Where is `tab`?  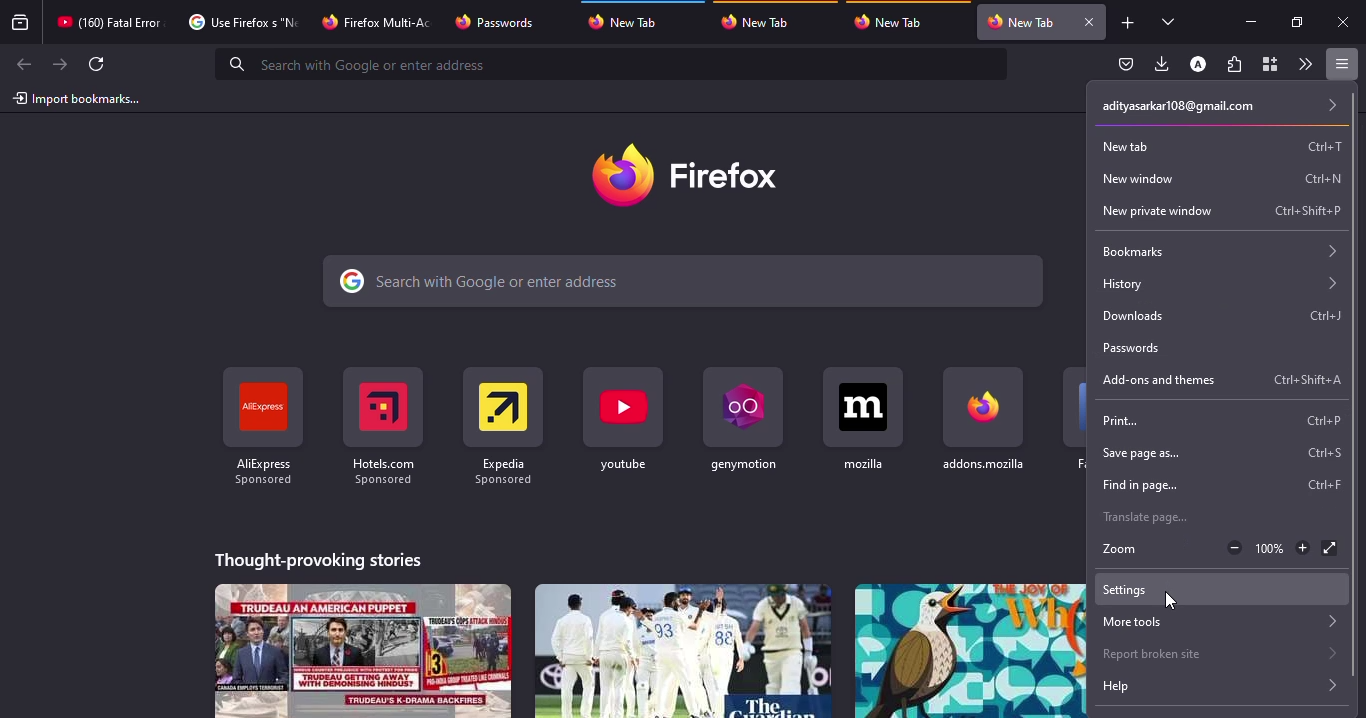 tab is located at coordinates (497, 22).